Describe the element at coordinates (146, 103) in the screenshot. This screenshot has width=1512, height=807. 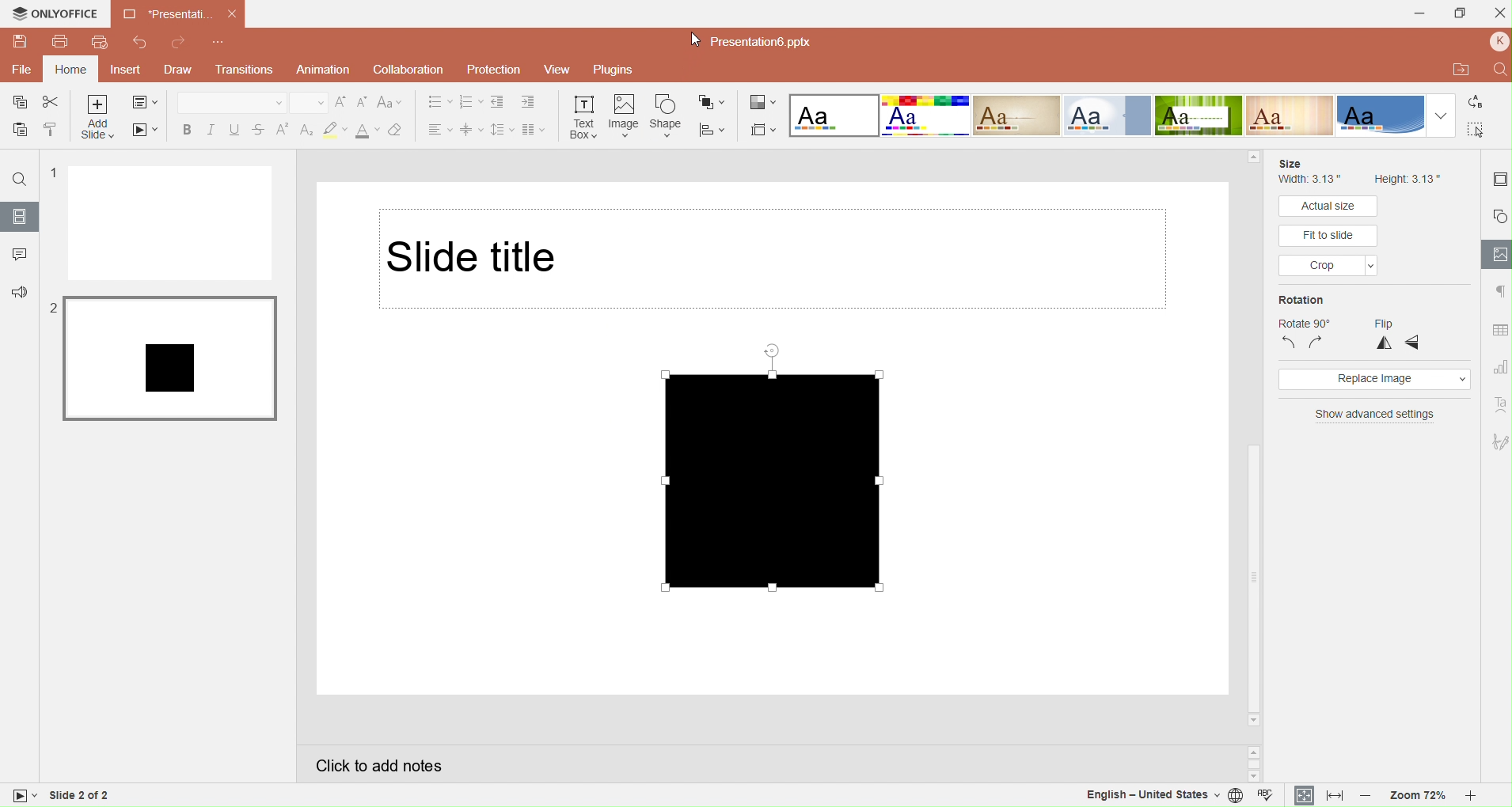
I see `Change slide layout` at that location.